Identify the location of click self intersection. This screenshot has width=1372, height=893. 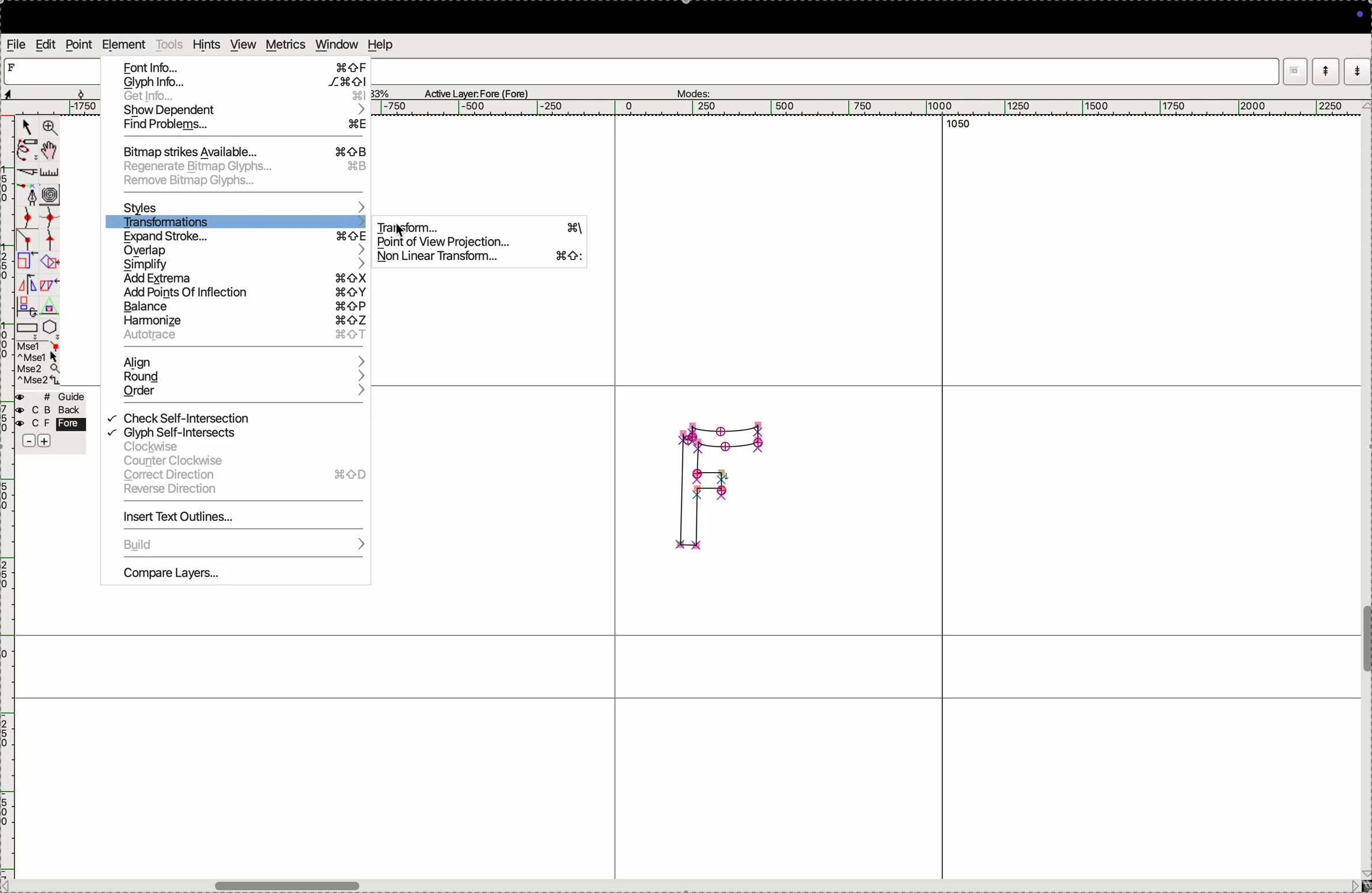
(235, 416).